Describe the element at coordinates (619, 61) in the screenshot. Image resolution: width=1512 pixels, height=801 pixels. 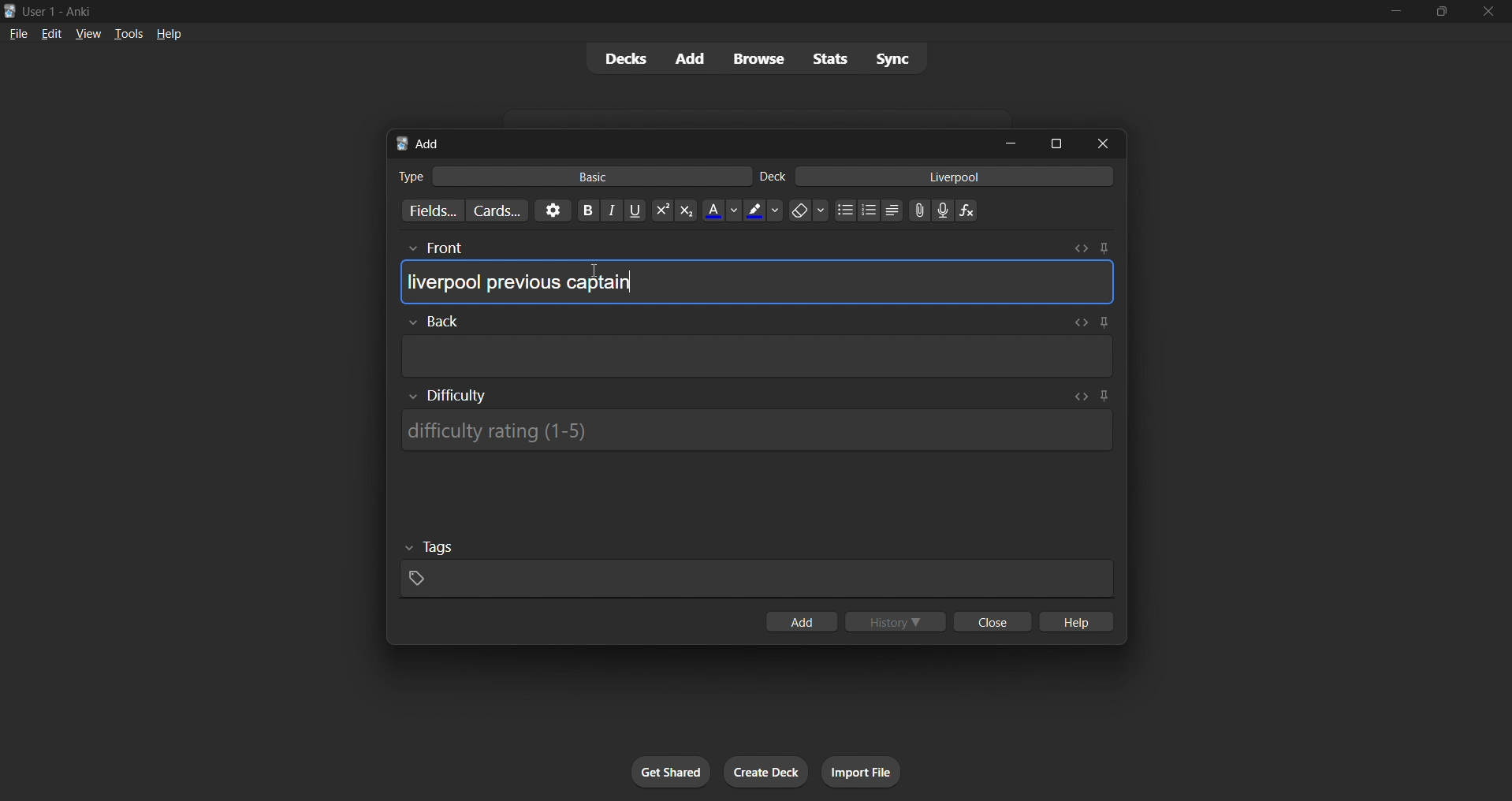
I see `decks` at that location.